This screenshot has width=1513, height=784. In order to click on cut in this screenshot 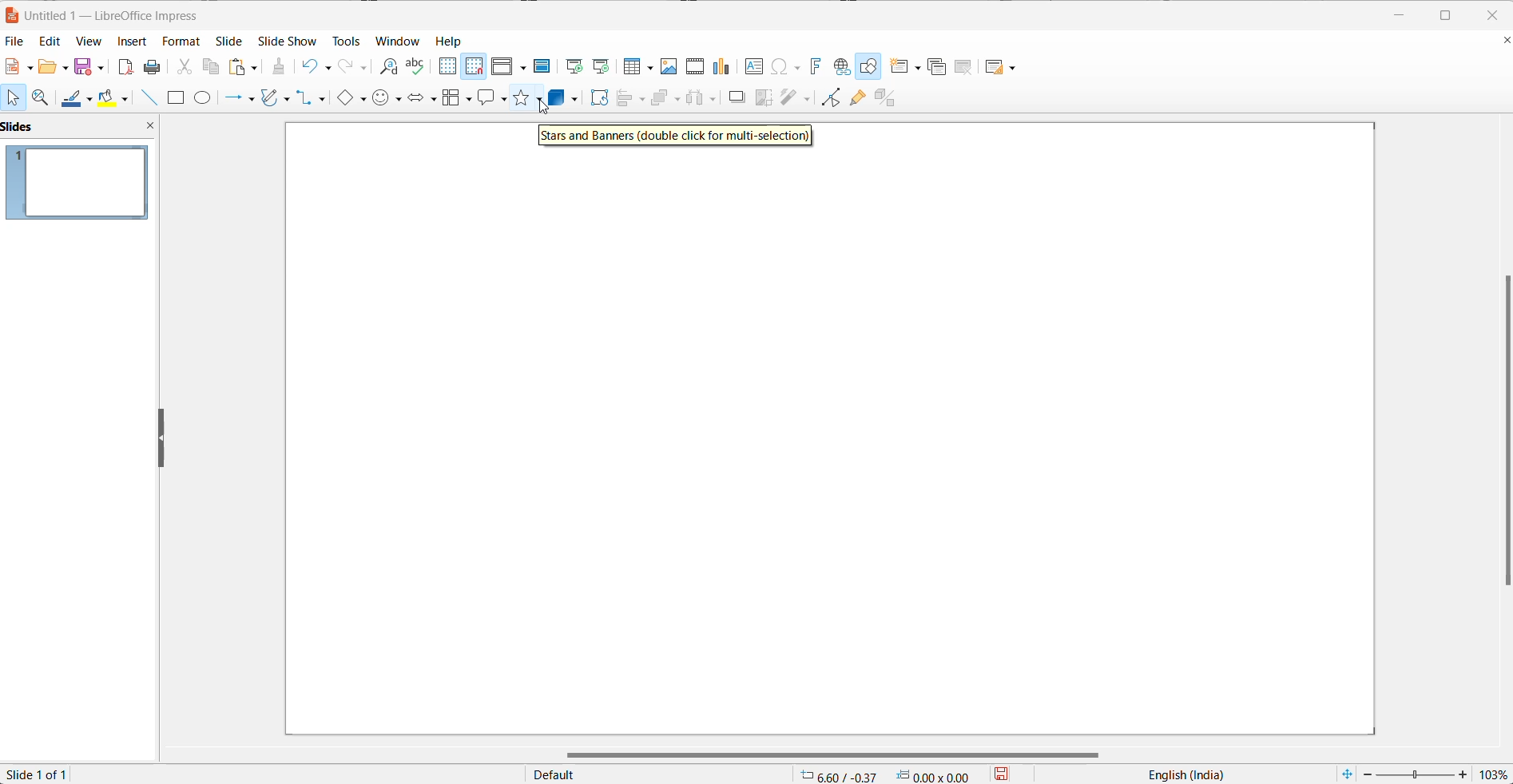, I will do `click(184, 65)`.